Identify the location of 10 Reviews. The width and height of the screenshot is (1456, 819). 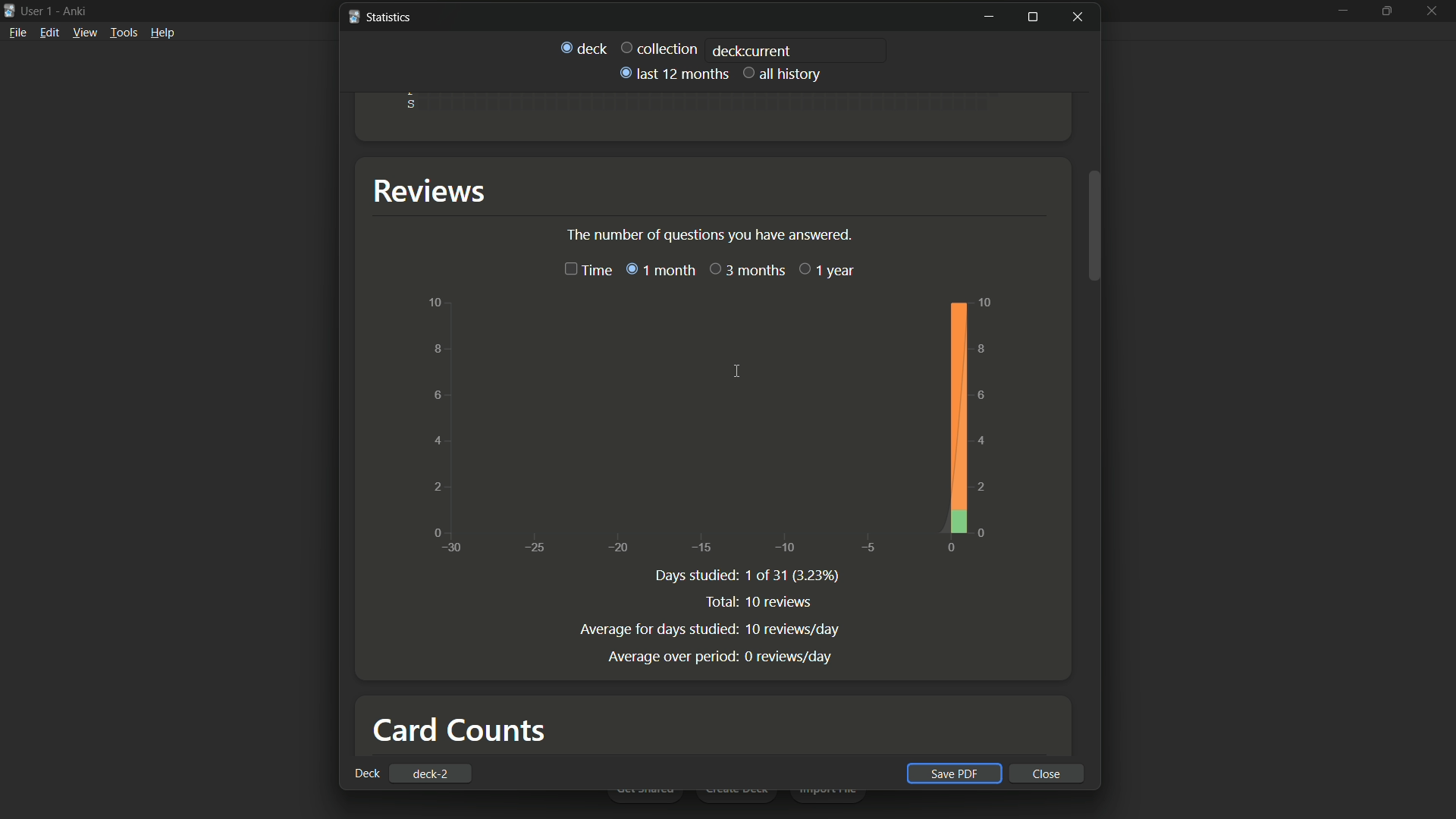
(780, 601).